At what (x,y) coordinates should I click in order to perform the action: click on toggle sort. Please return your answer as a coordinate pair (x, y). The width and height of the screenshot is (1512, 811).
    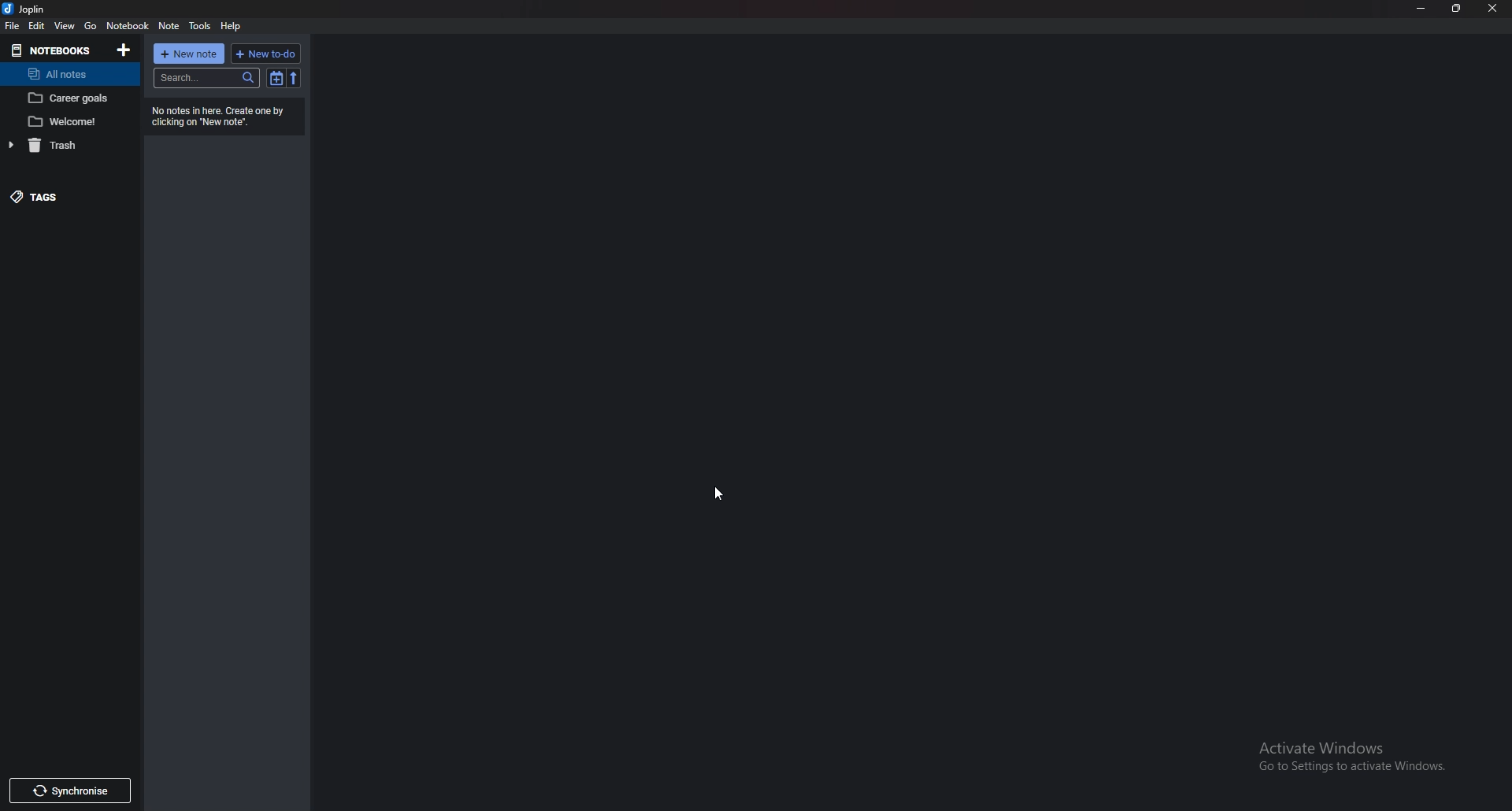
    Looking at the image, I should click on (276, 78).